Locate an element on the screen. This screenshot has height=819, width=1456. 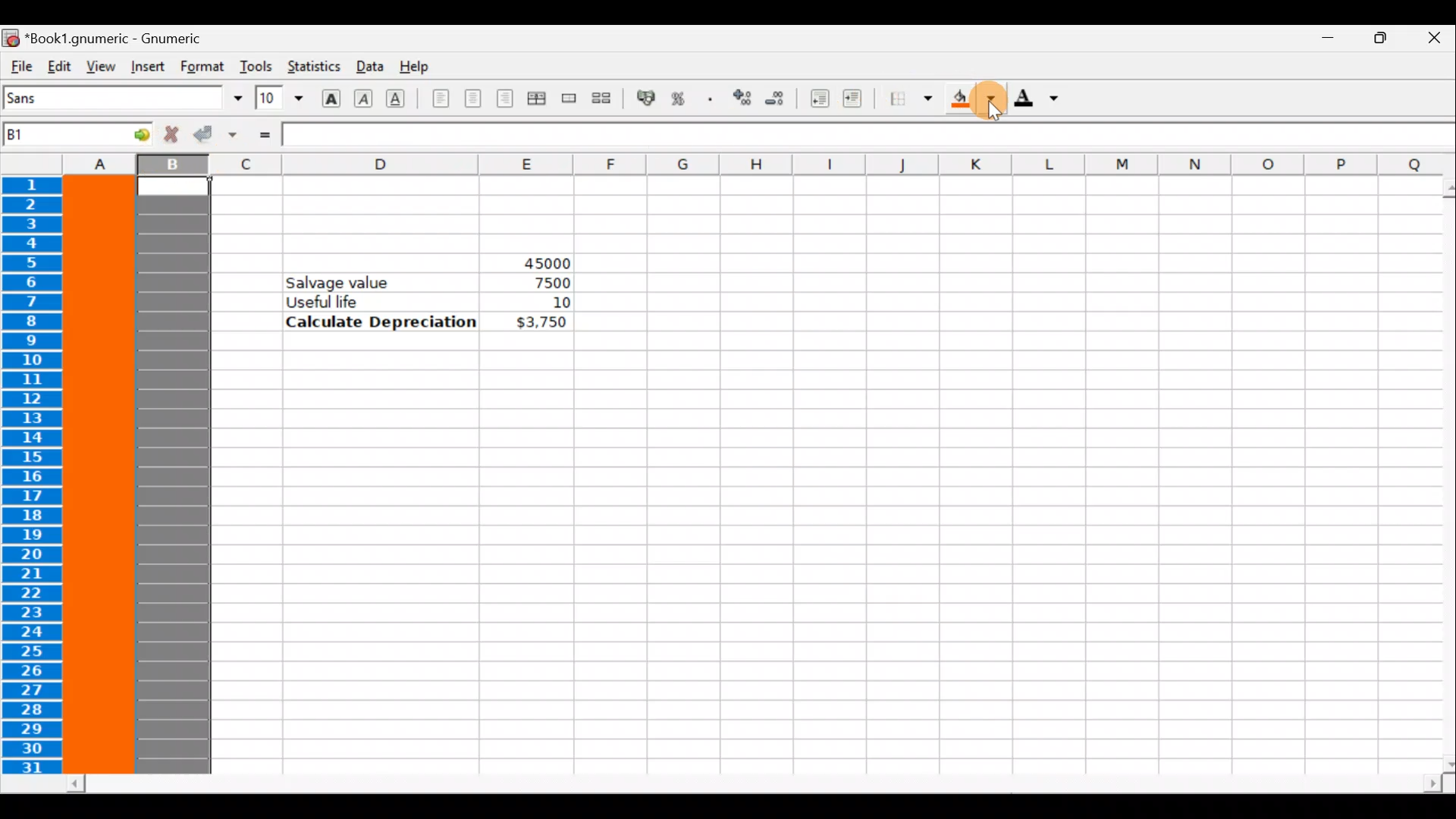
Decrease the number of decimals is located at coordinates (775, 98).